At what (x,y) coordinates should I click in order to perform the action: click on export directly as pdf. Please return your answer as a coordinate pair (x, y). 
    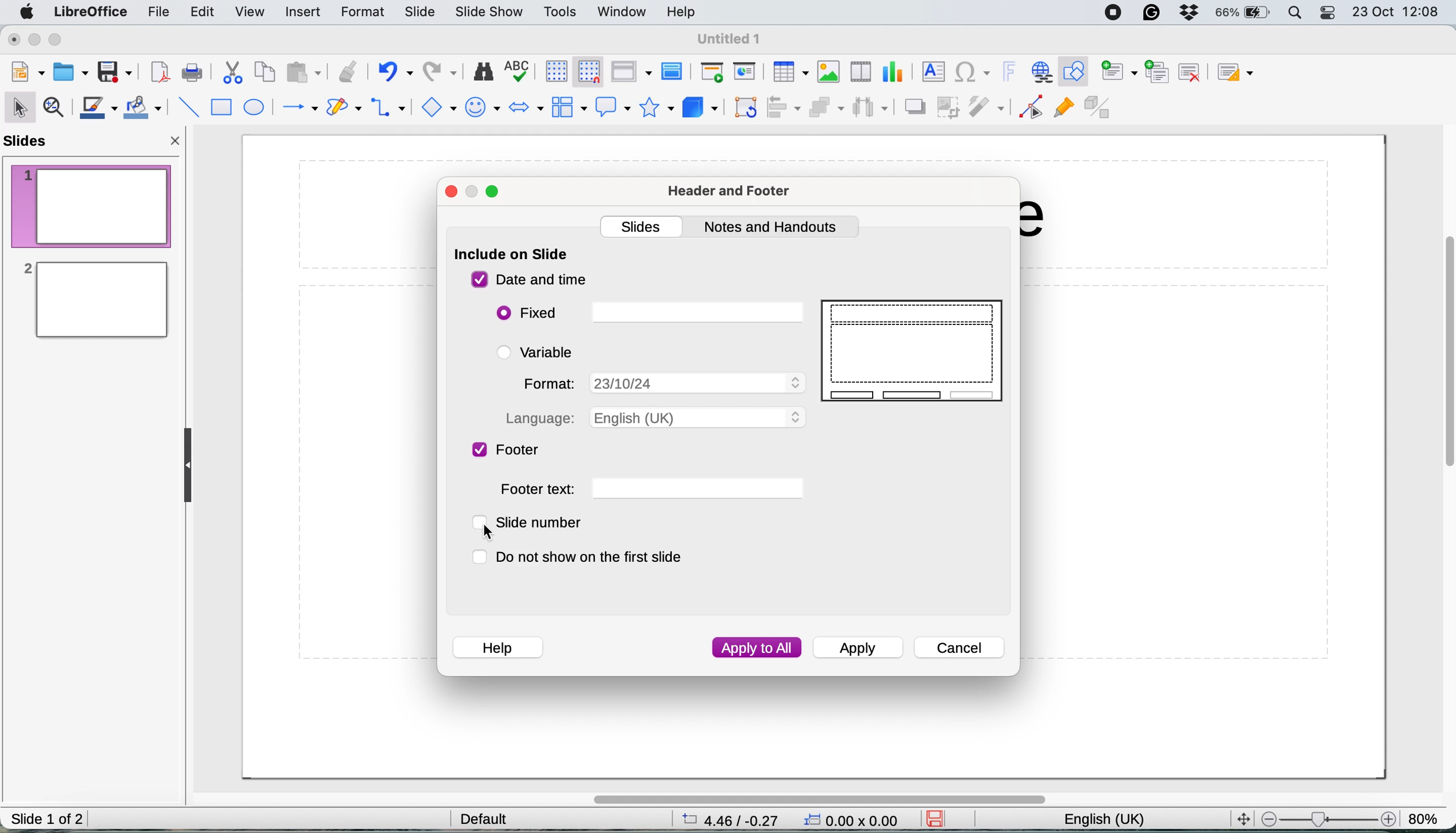
    Looking at the image, I should click on (160, 74).